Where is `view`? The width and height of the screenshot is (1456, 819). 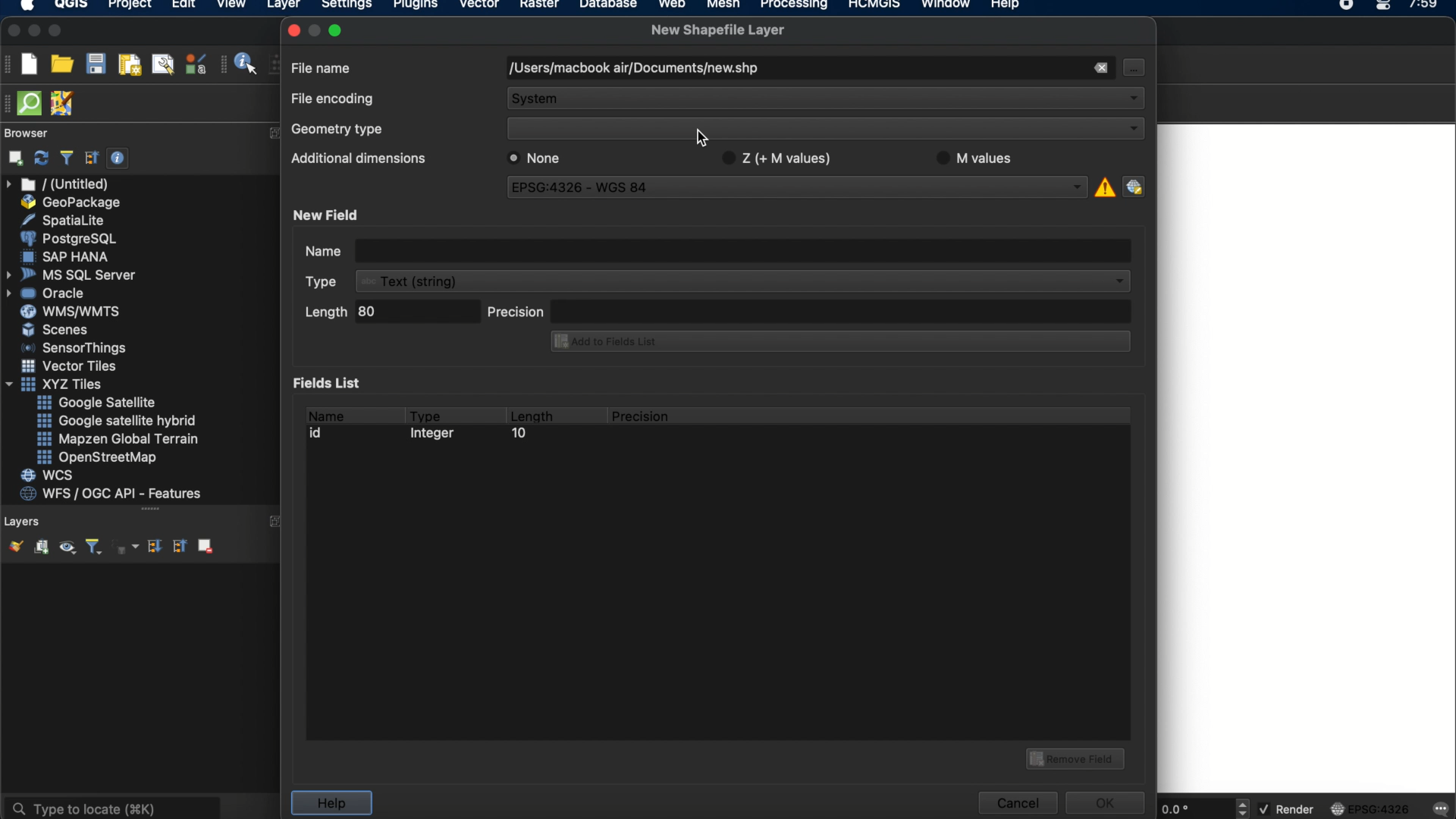 view is located at coordinates (231, 6).